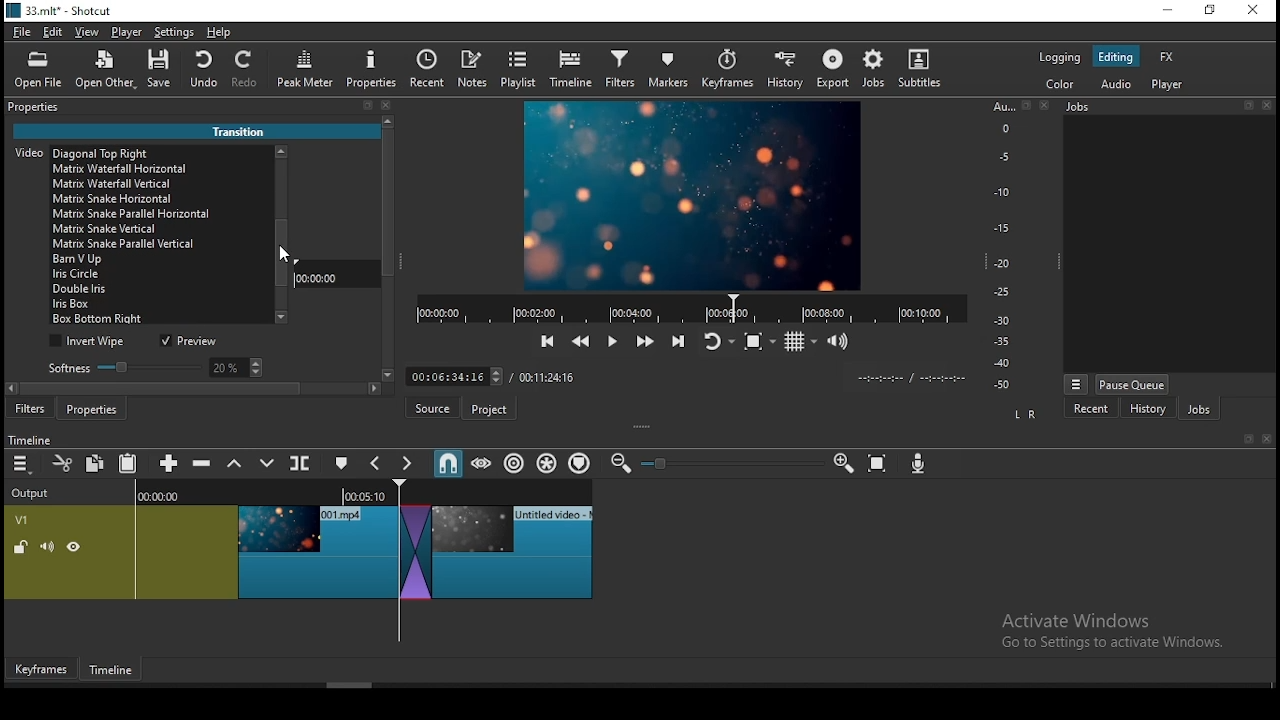 The height and width of the screenshot is (720, 1280). What do you see at coordinates (1091, 408) in the screenshot?
I see `recent` at bounding box center [1091, 408].